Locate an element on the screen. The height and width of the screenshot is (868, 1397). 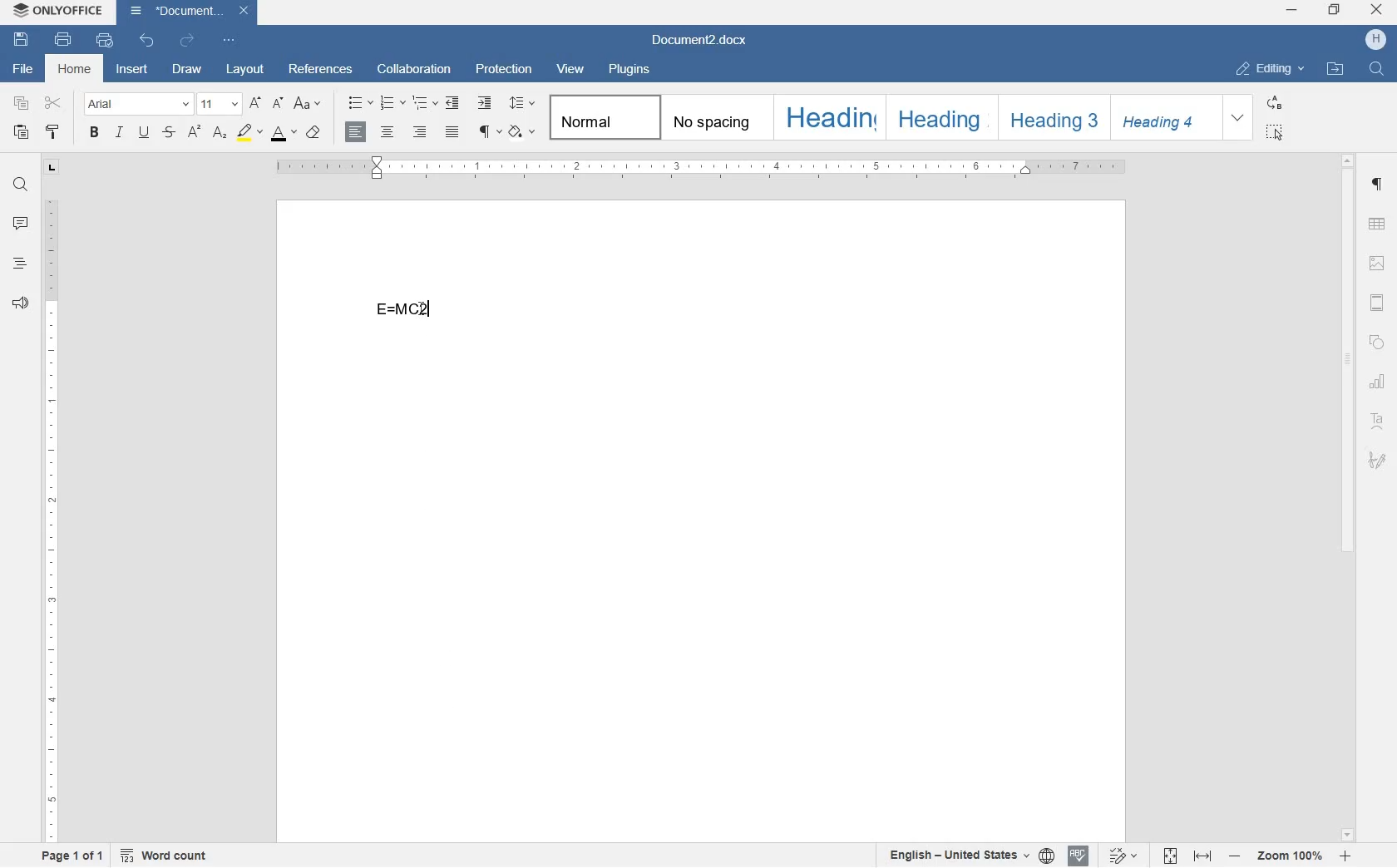
find is located at coordinates (1375, 68).